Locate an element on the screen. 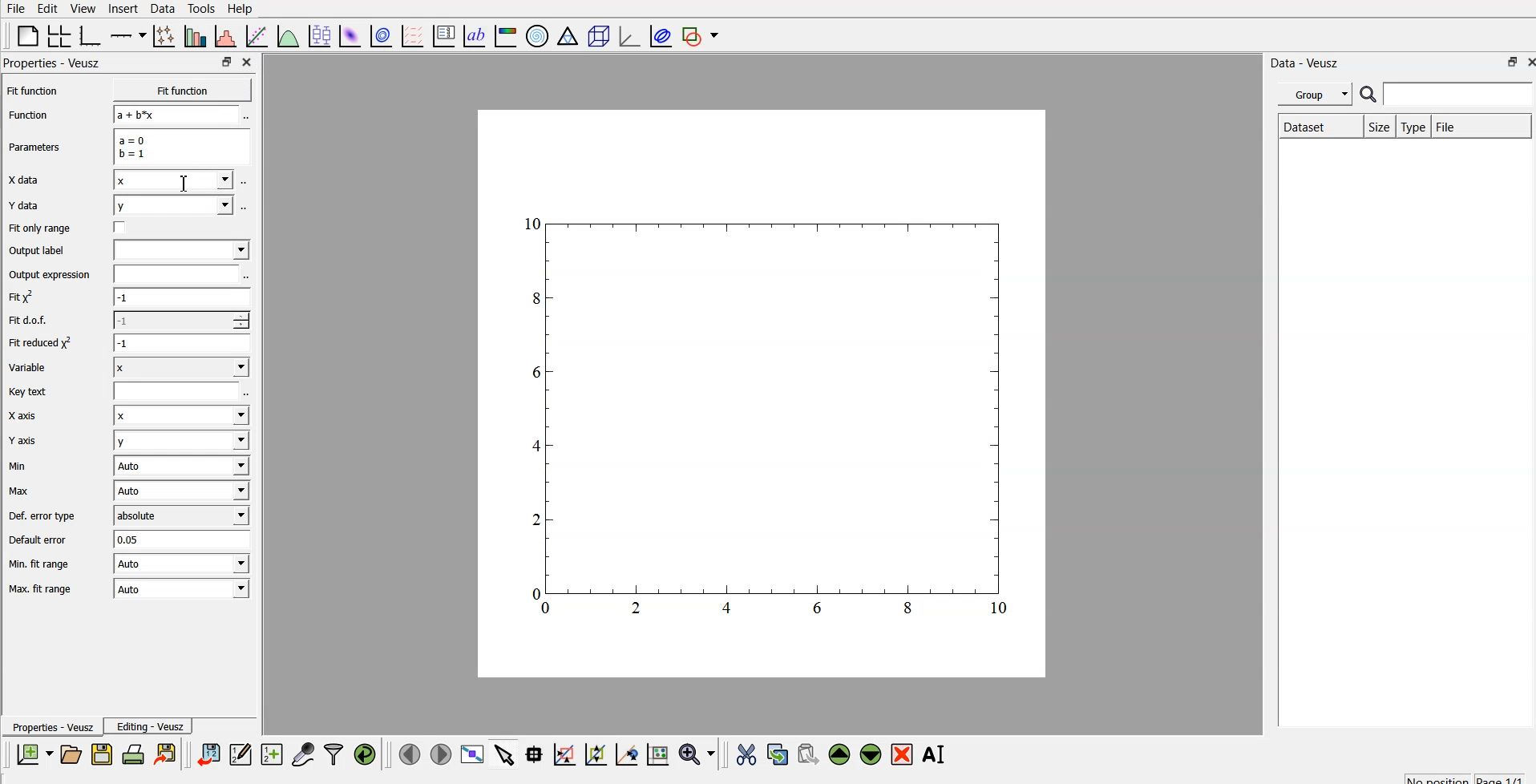 This screenshot has height=784, width=1536. import data into veusz is located at coordinates (209, 755).